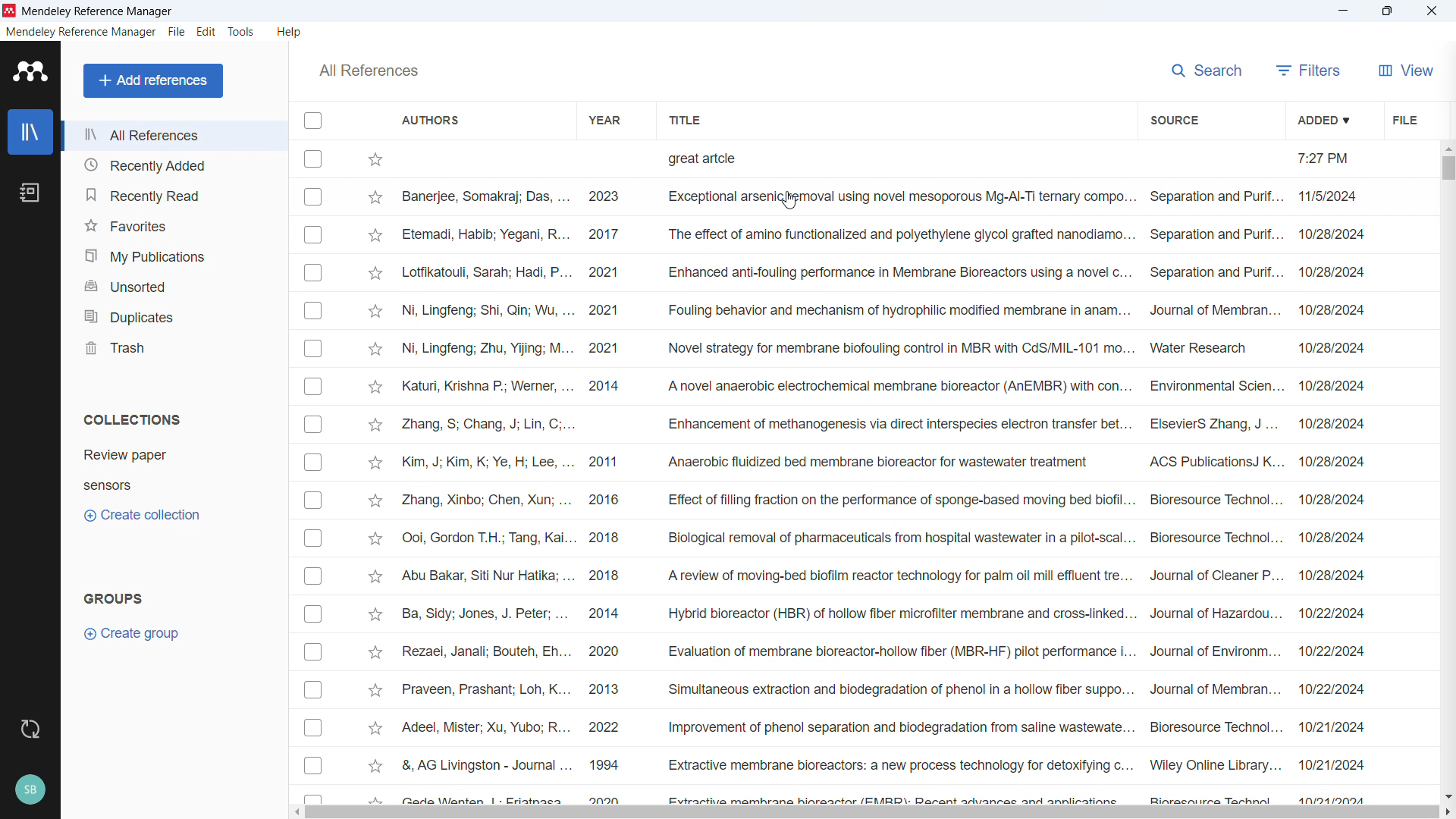 Image resolution: width=1456 pixels, height=819 pixels. What do you see at coordinates (899, 475) in the screenshot?
I see `Title of individual entries ` at bounding box center [899, 475].